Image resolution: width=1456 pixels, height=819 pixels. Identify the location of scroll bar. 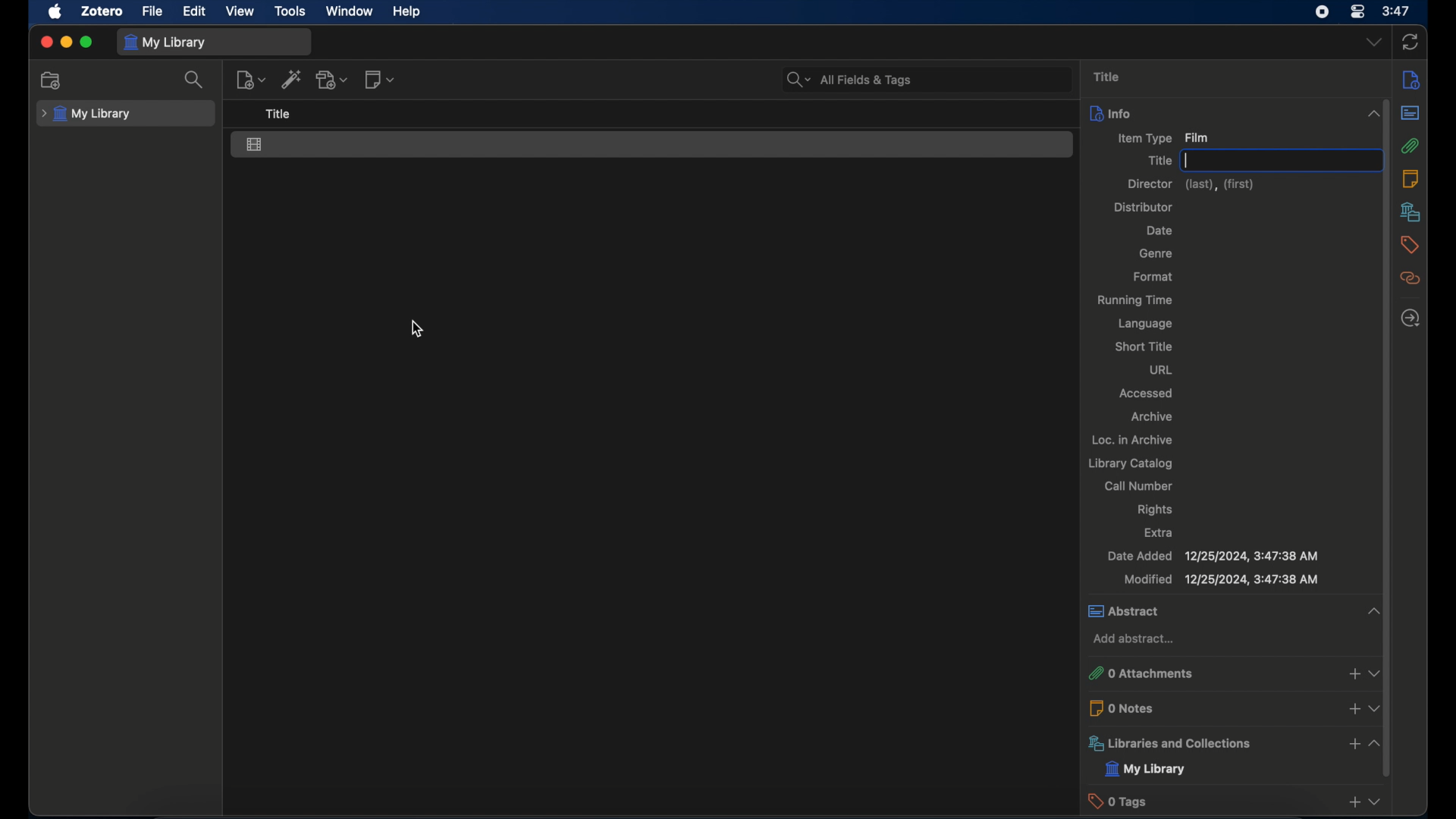
(1384, 361).